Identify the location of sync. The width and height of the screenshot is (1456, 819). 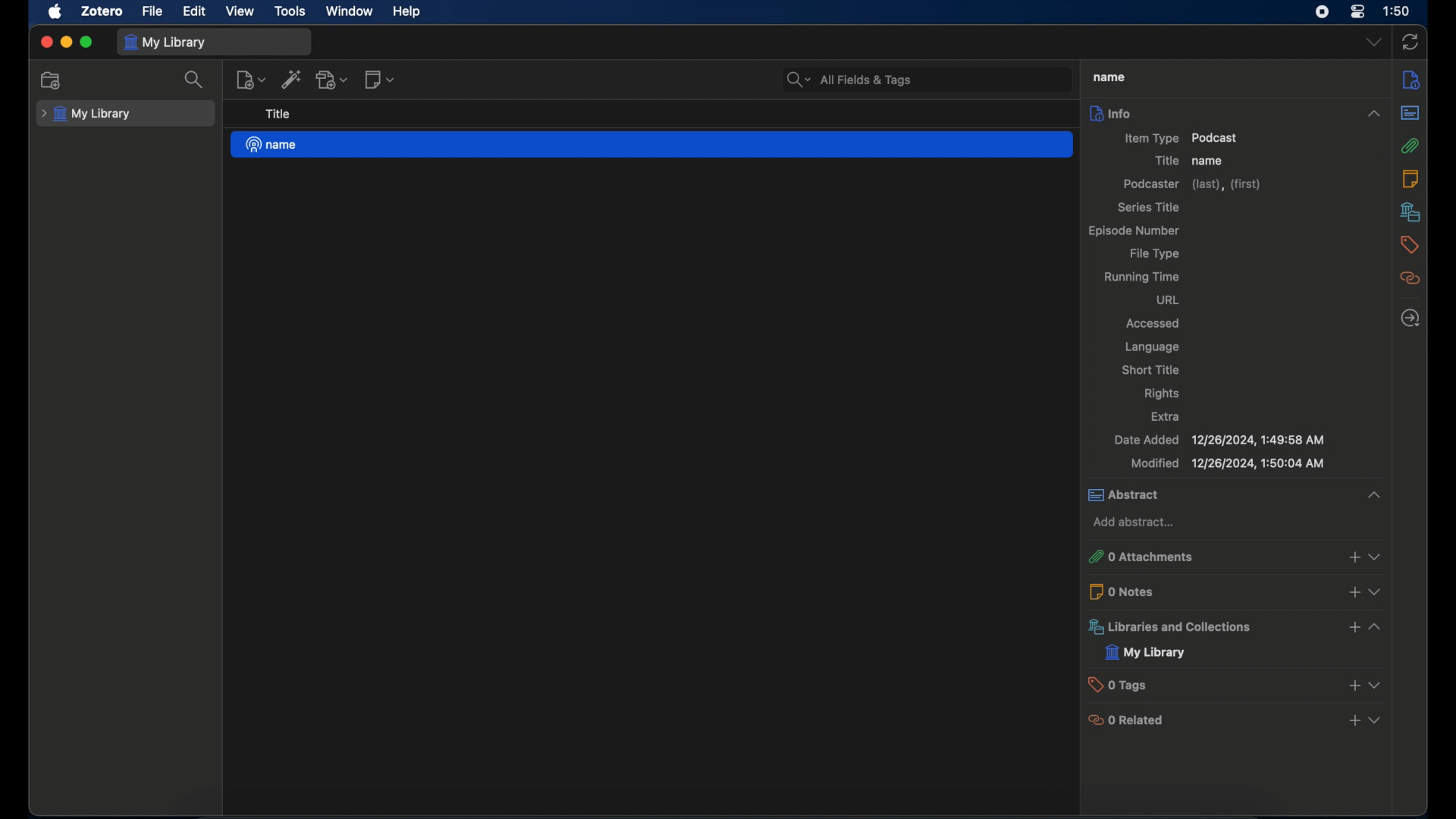
(1410, 42).